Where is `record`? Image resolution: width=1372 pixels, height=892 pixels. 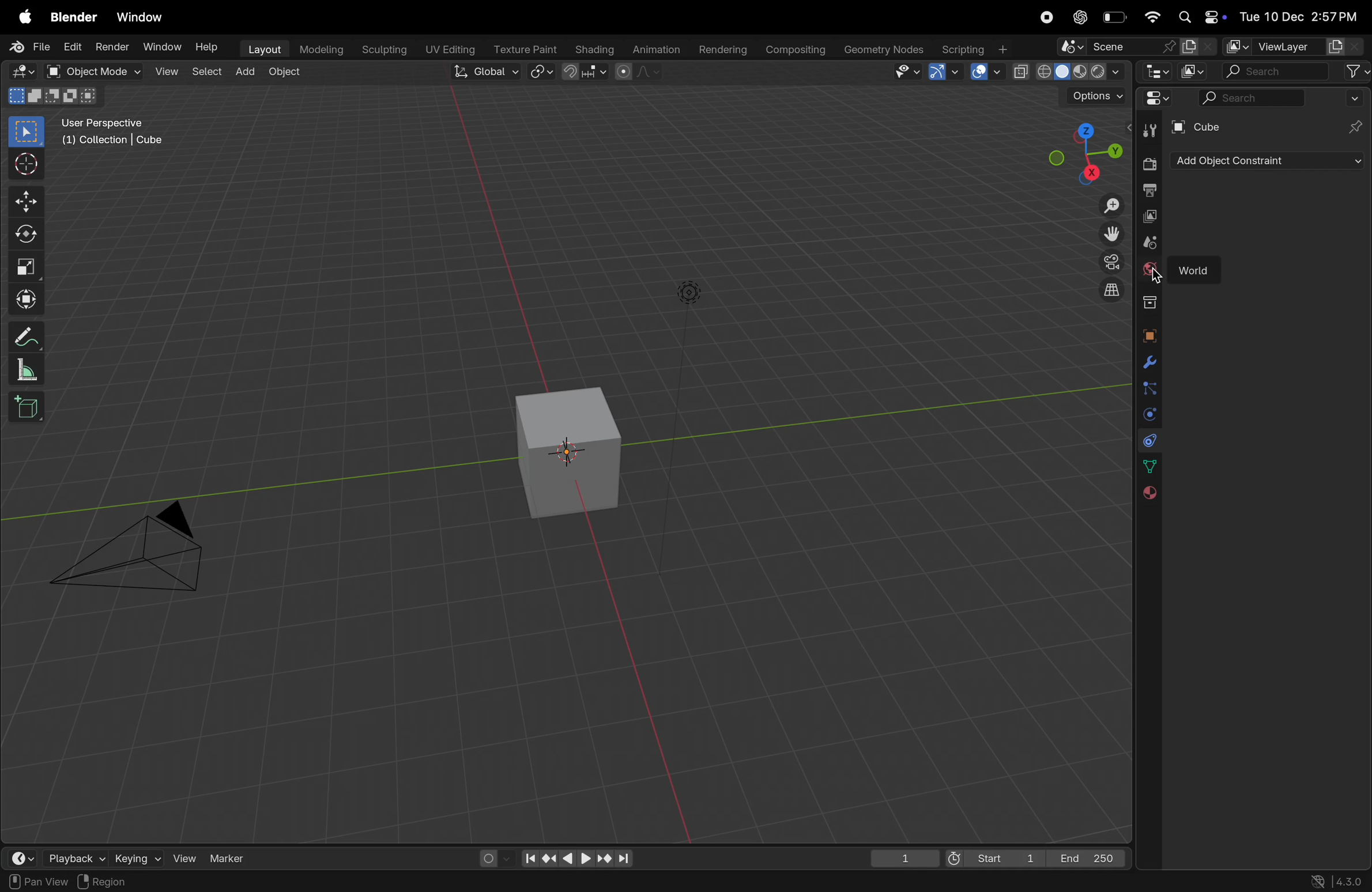 record is located at coordinates (1046, 17).